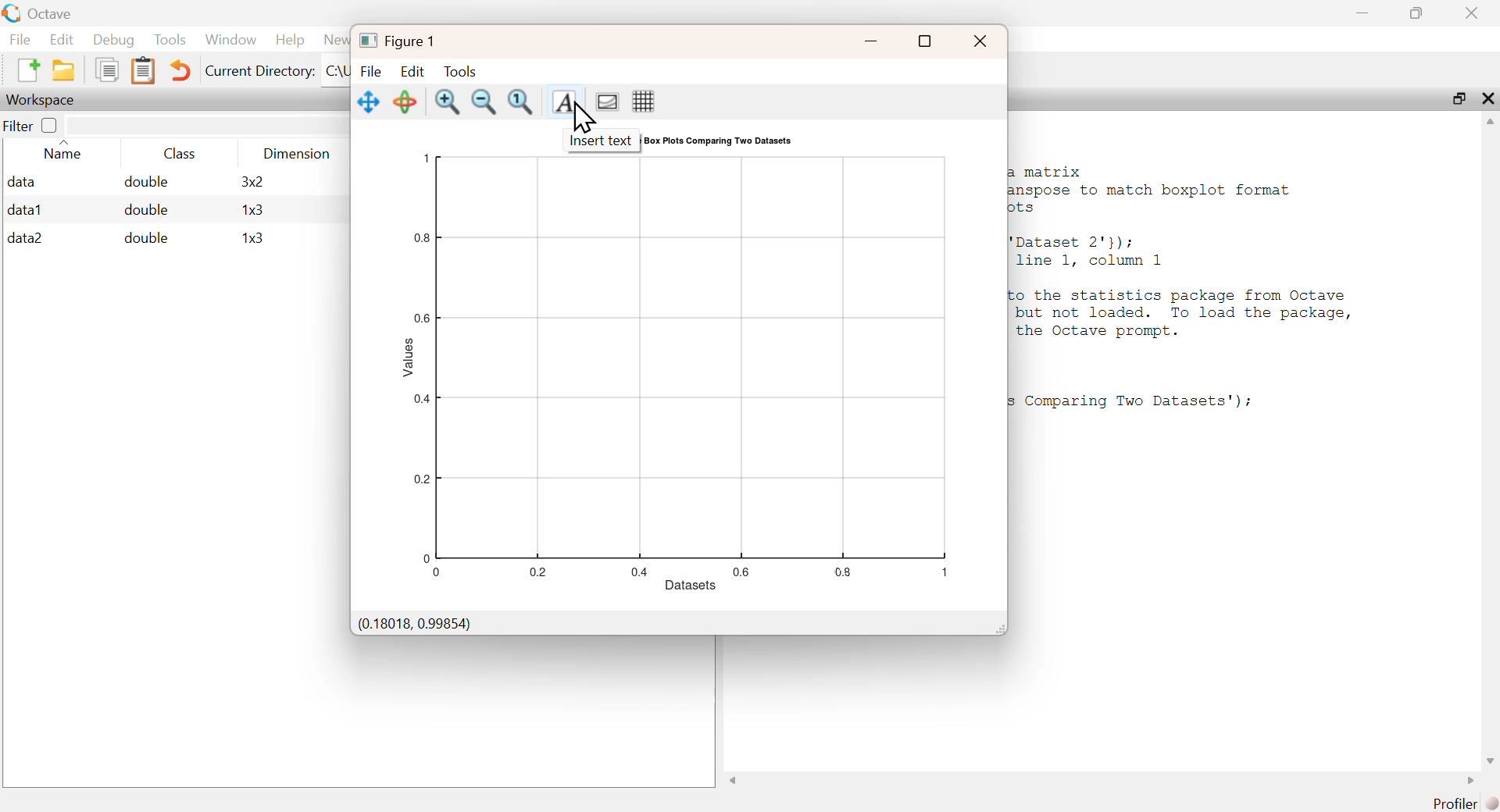 The image size is (1500, 812). What do you see at coordinates (606, 101) in the screenshot?
I see `Gradient` at bounding box center [606, 101].